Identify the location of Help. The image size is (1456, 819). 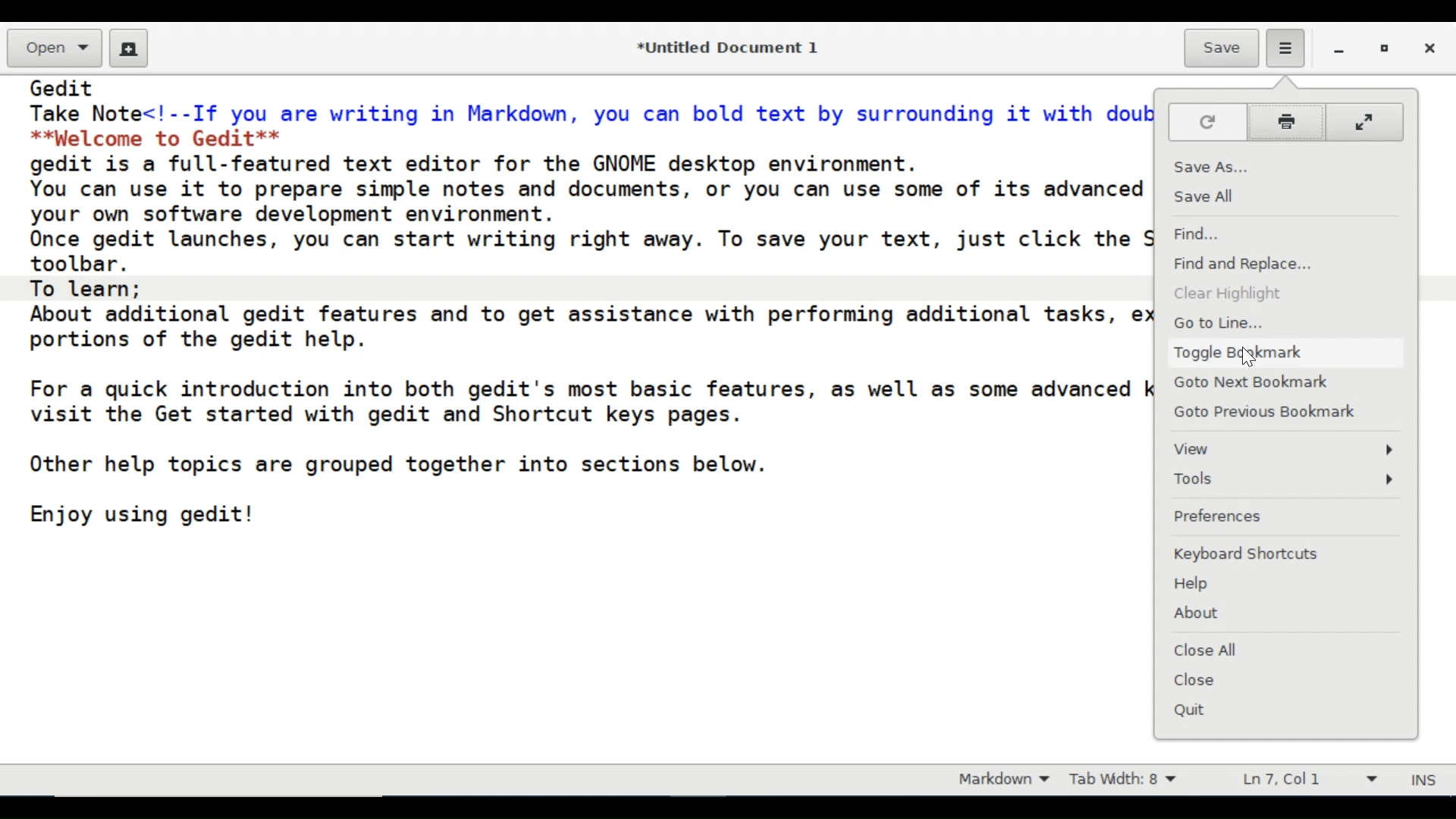
(1194, 584).